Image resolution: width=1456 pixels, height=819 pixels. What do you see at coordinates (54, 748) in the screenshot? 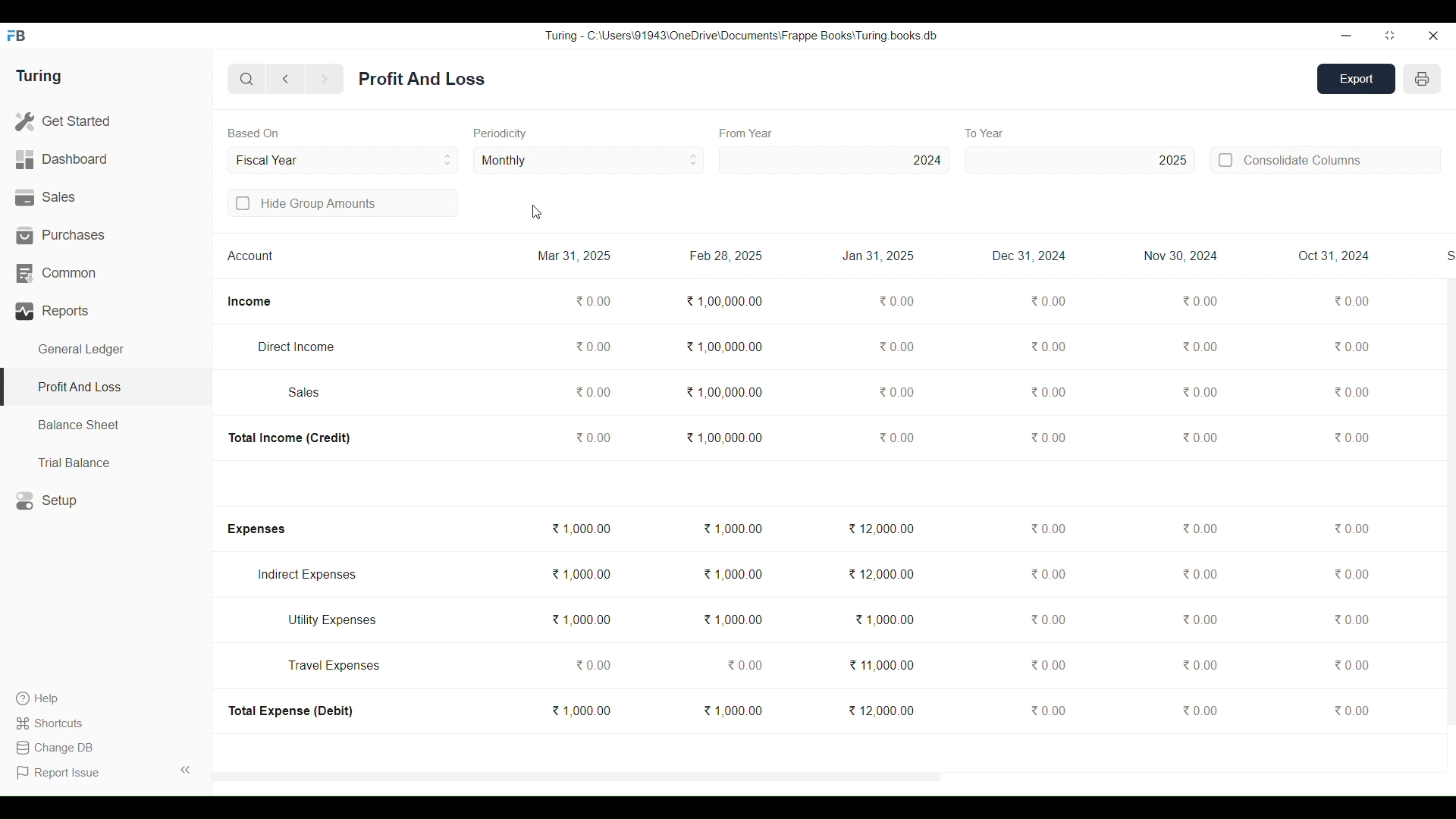
I see `Change DB` at bounding box center [54, 748].